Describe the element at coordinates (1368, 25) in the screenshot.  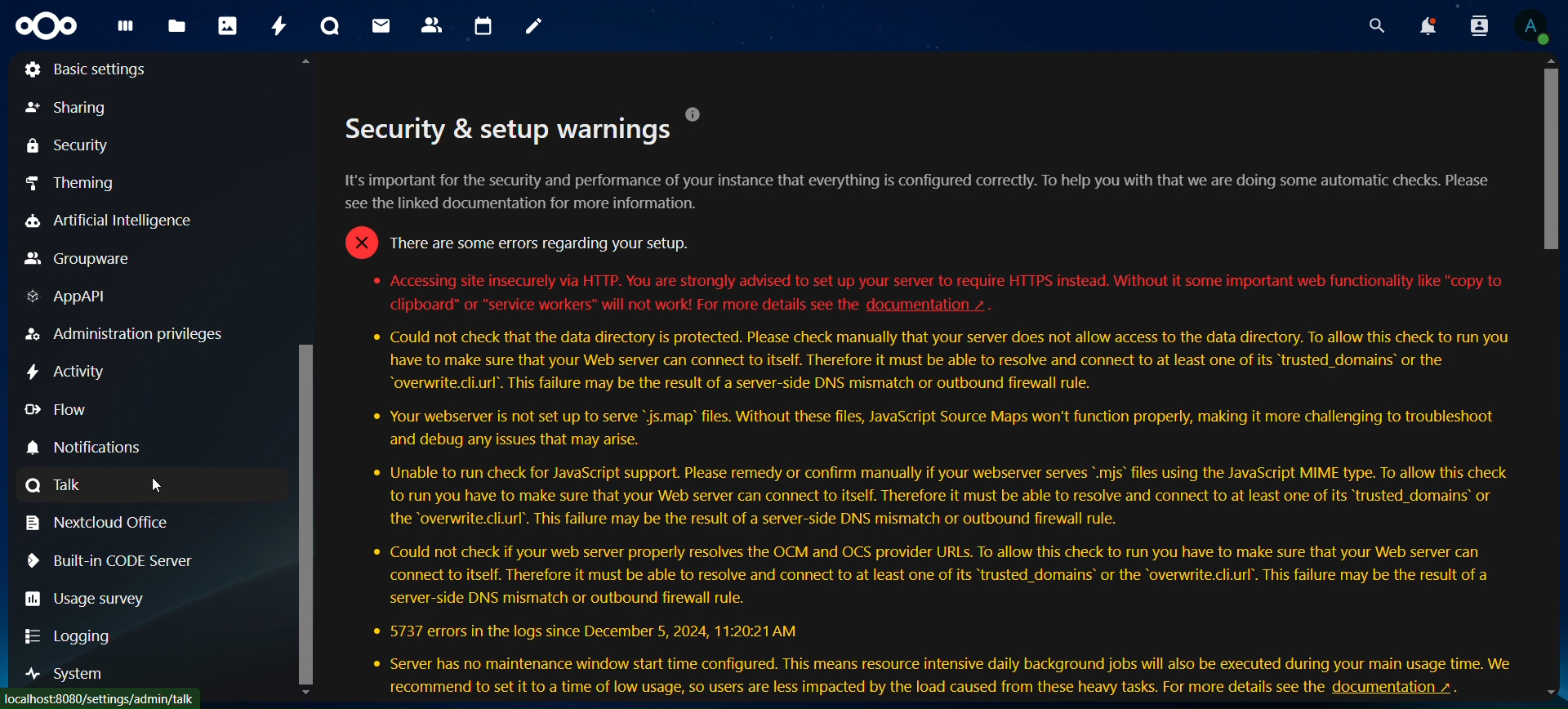
I see `search` at that location.